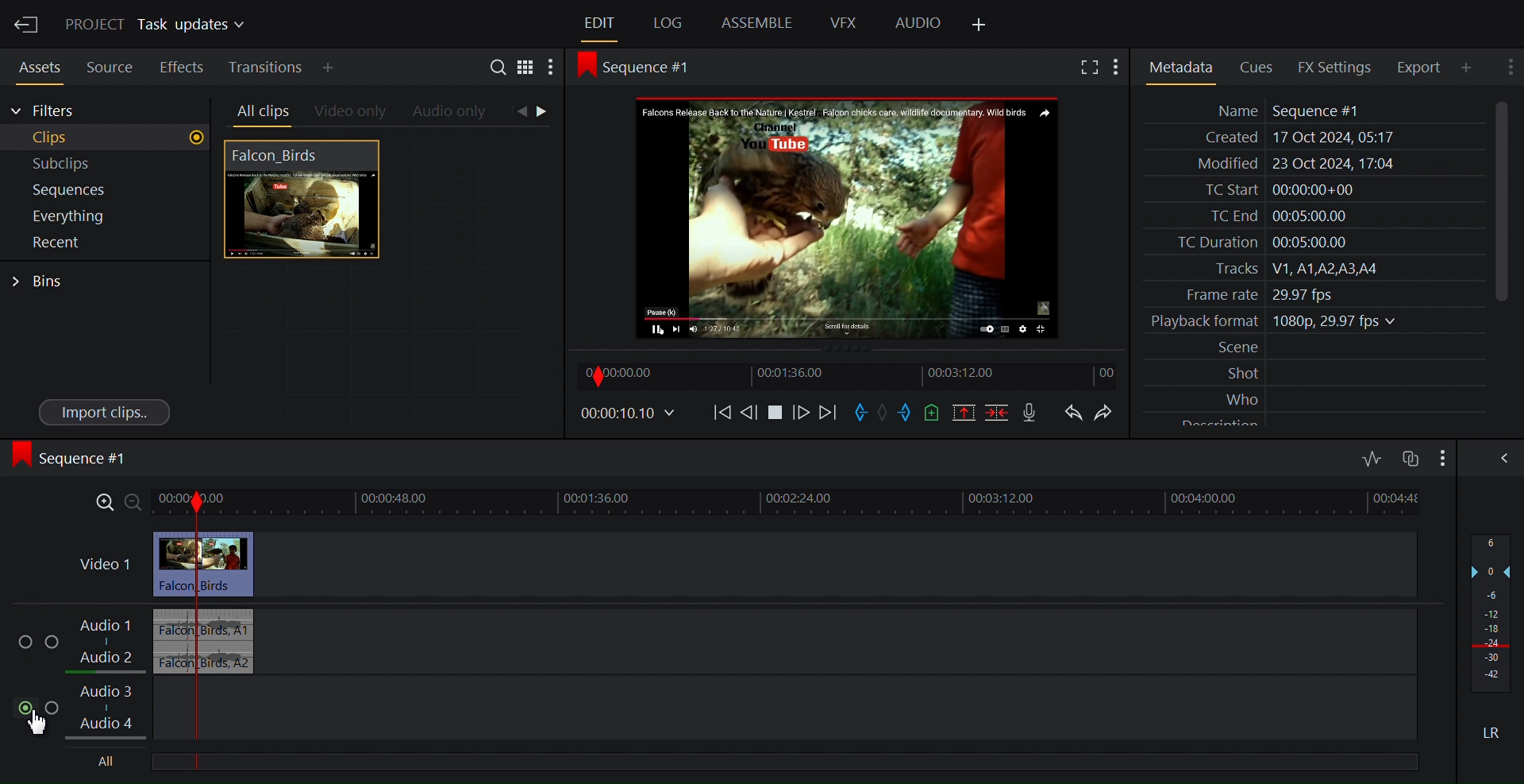  Describe the element at coordinates (1501, 458) in the screenshot. I see `Show/Hide the full audio mix` at that location.